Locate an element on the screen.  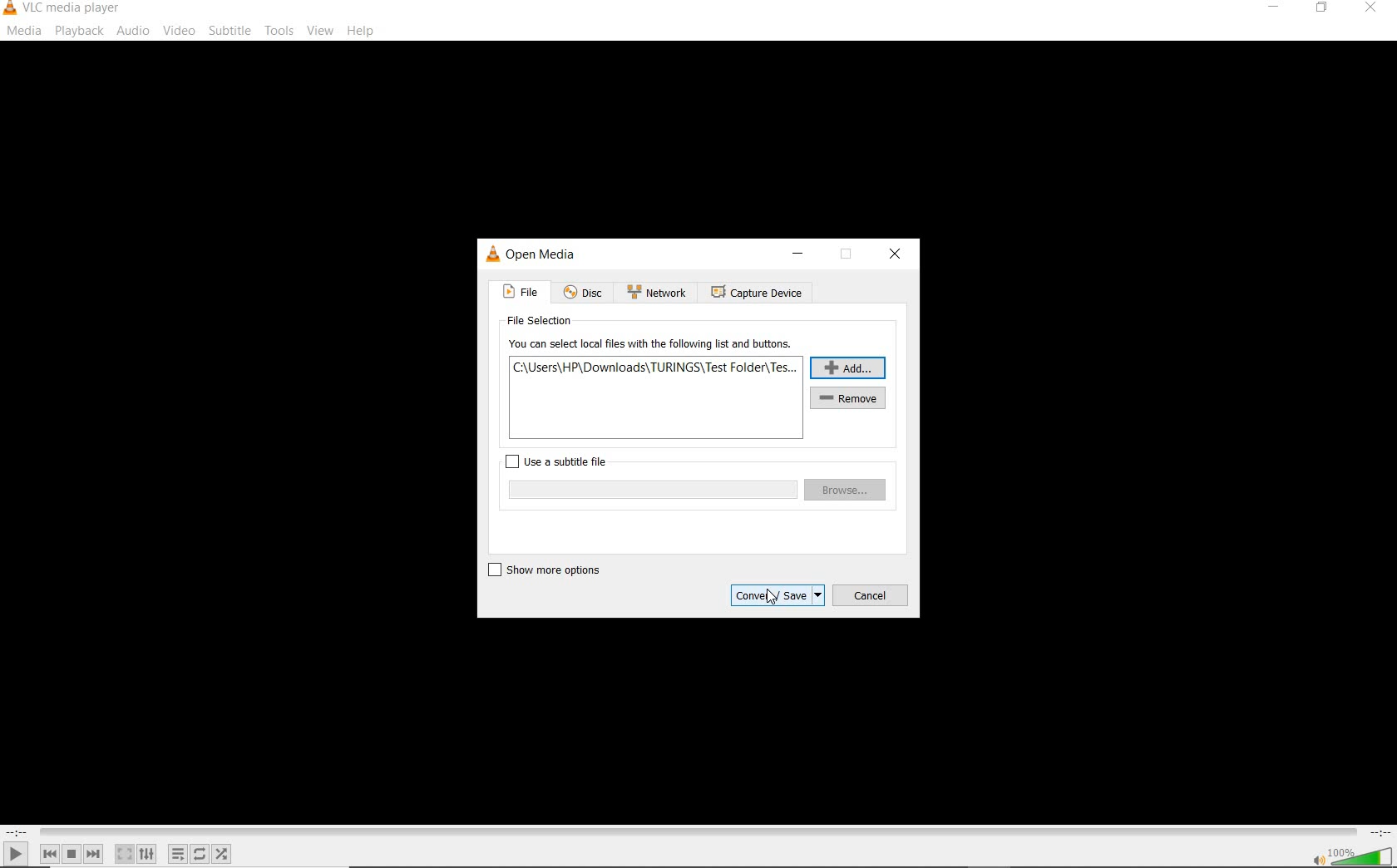
video is located at coordinates (179, 31).